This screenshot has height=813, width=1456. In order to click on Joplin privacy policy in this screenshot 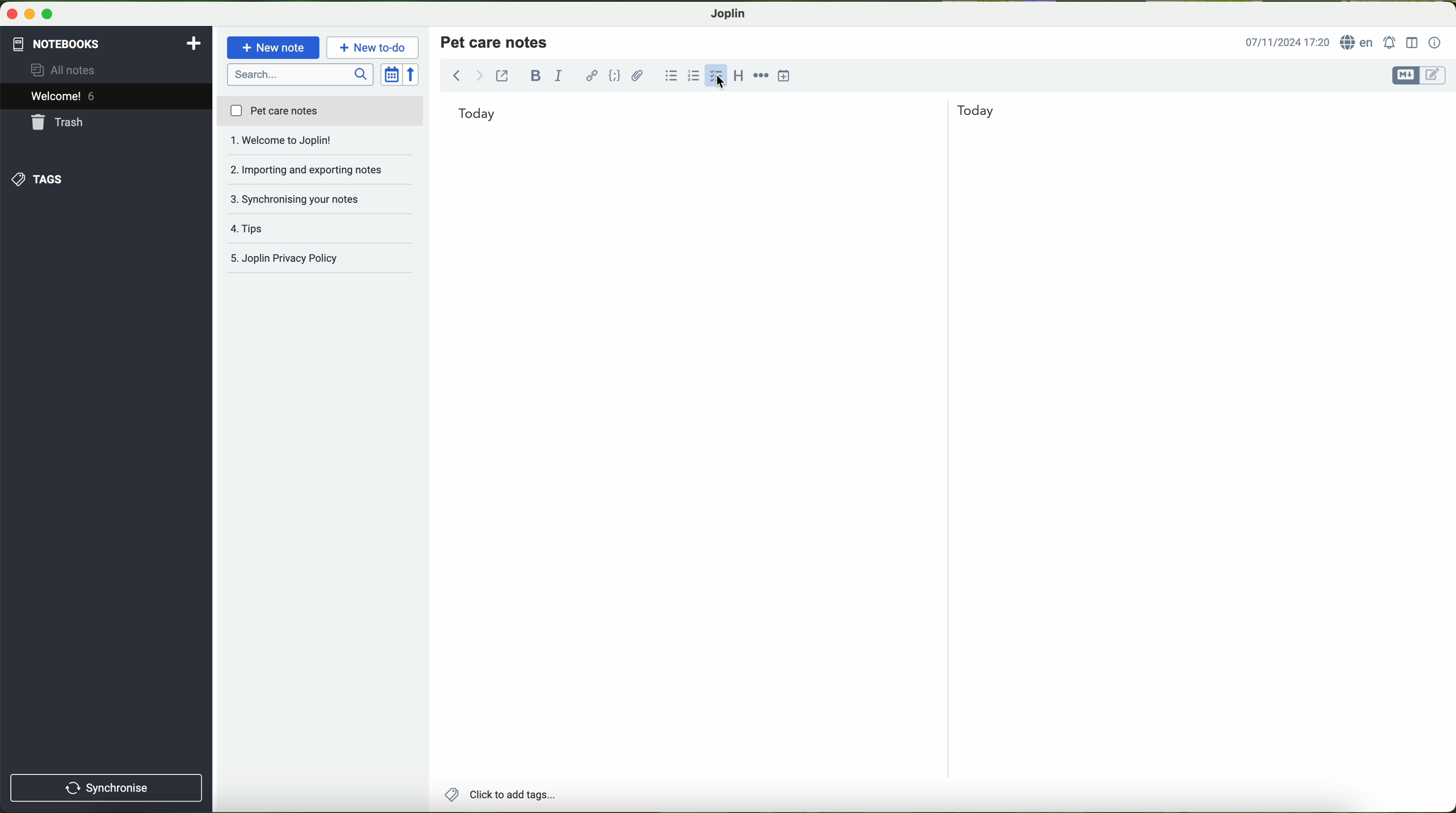, I will do `click(321, 229)`.